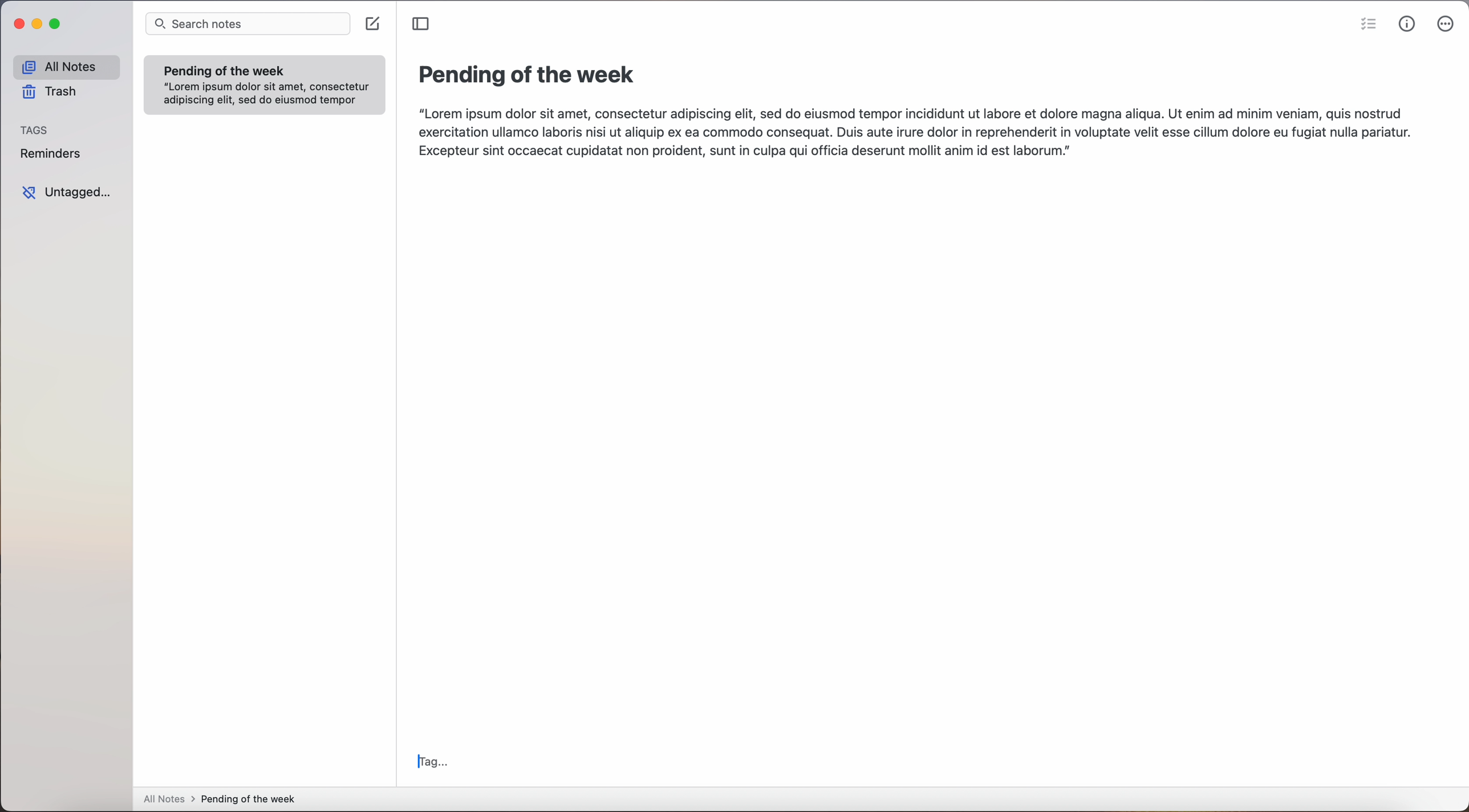 Image resolution: width=1469 pixels, height=812 pixels. What do you see at coordinates (65, 193) in the screenshot?
I see `untagged` at bounding box center [65, 193].